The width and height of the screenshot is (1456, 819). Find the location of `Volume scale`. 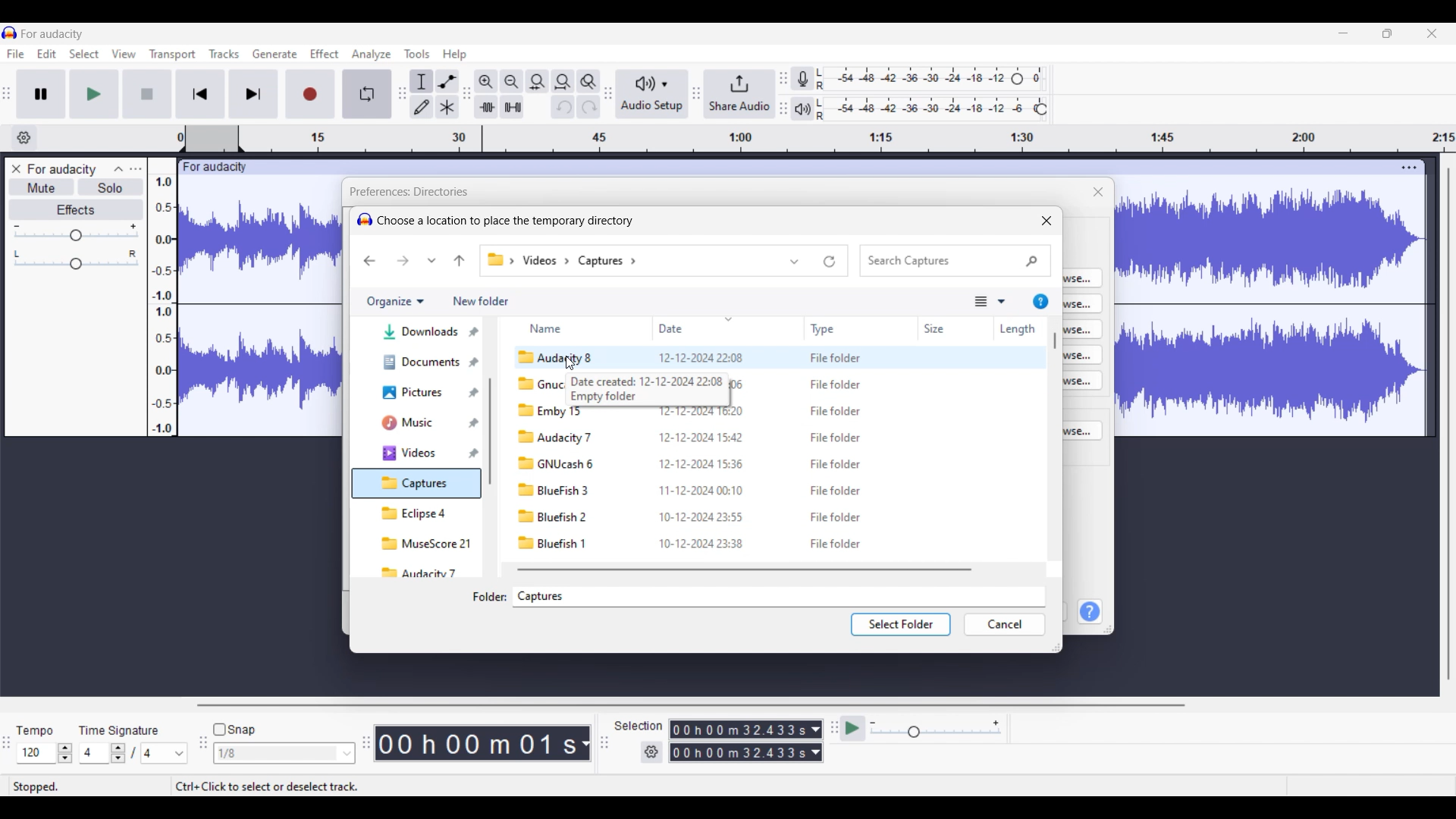

Volume scale is located at coordinates (76, 231).